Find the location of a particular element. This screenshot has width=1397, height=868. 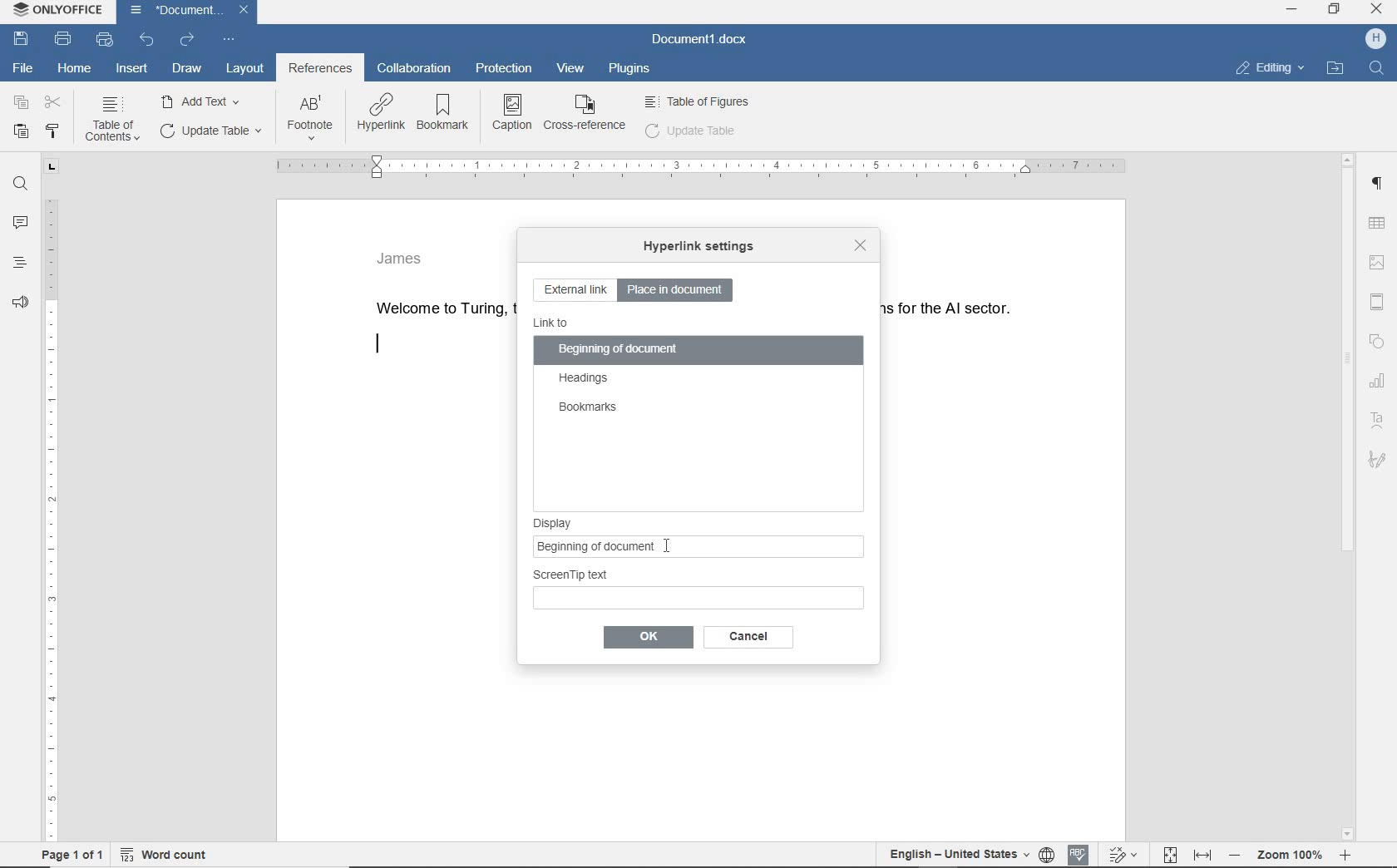

scrollbar is located at coordinates (1348, 495).